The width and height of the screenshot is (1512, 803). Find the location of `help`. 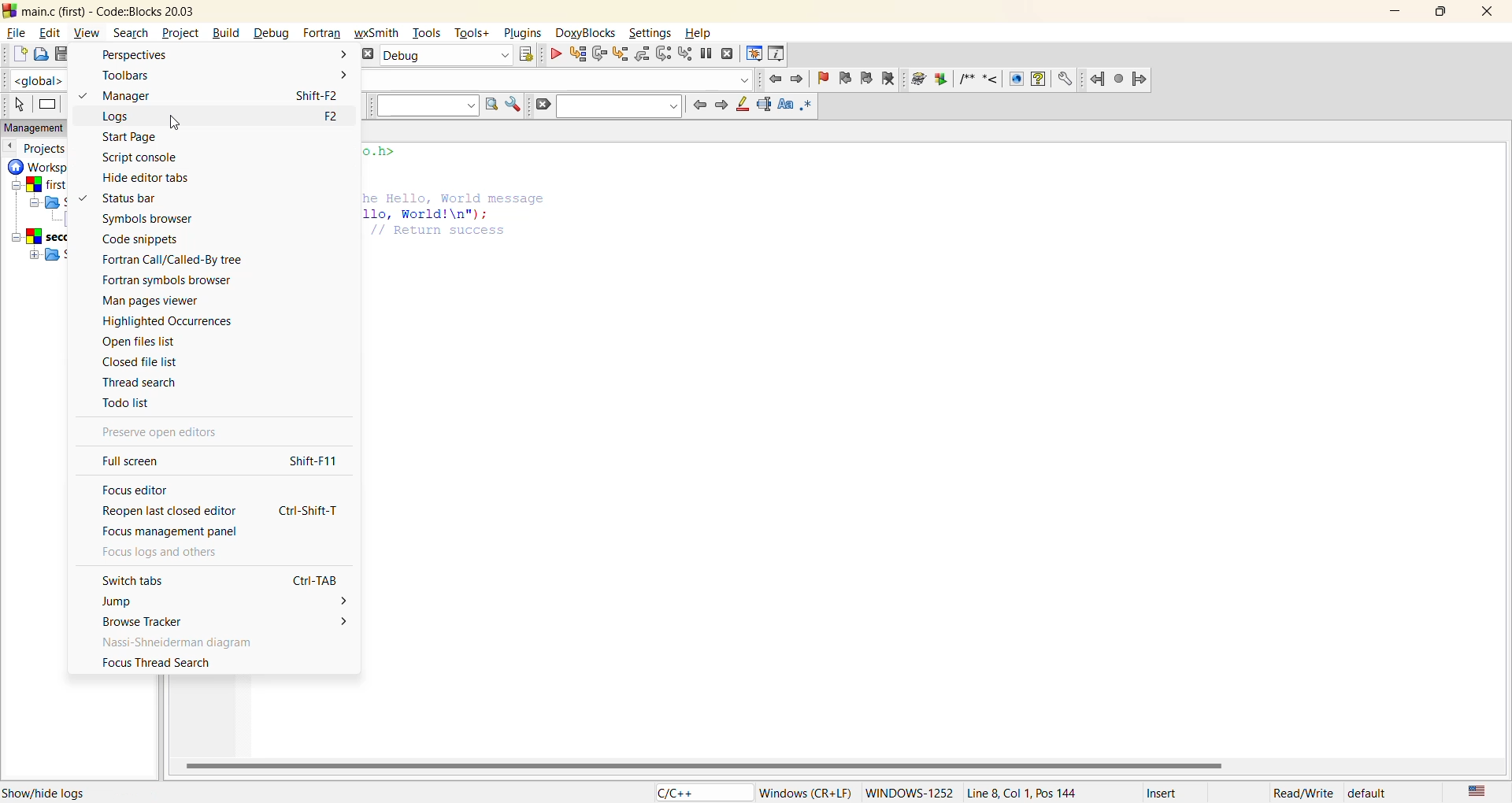

help is located at coordinates (1039, 79).